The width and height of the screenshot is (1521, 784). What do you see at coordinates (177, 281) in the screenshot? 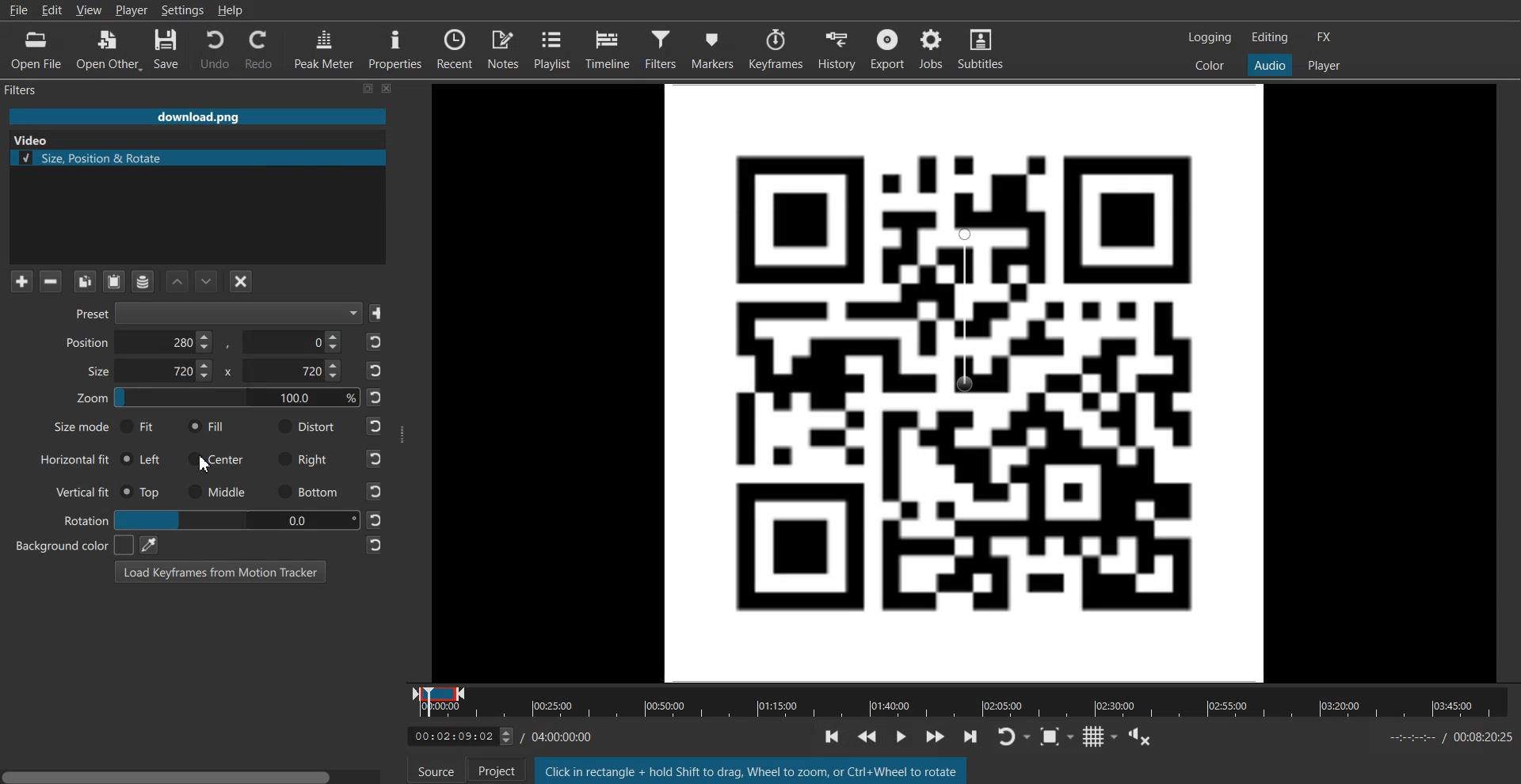
I see `Move filter up` at bounding box center [177, 281].